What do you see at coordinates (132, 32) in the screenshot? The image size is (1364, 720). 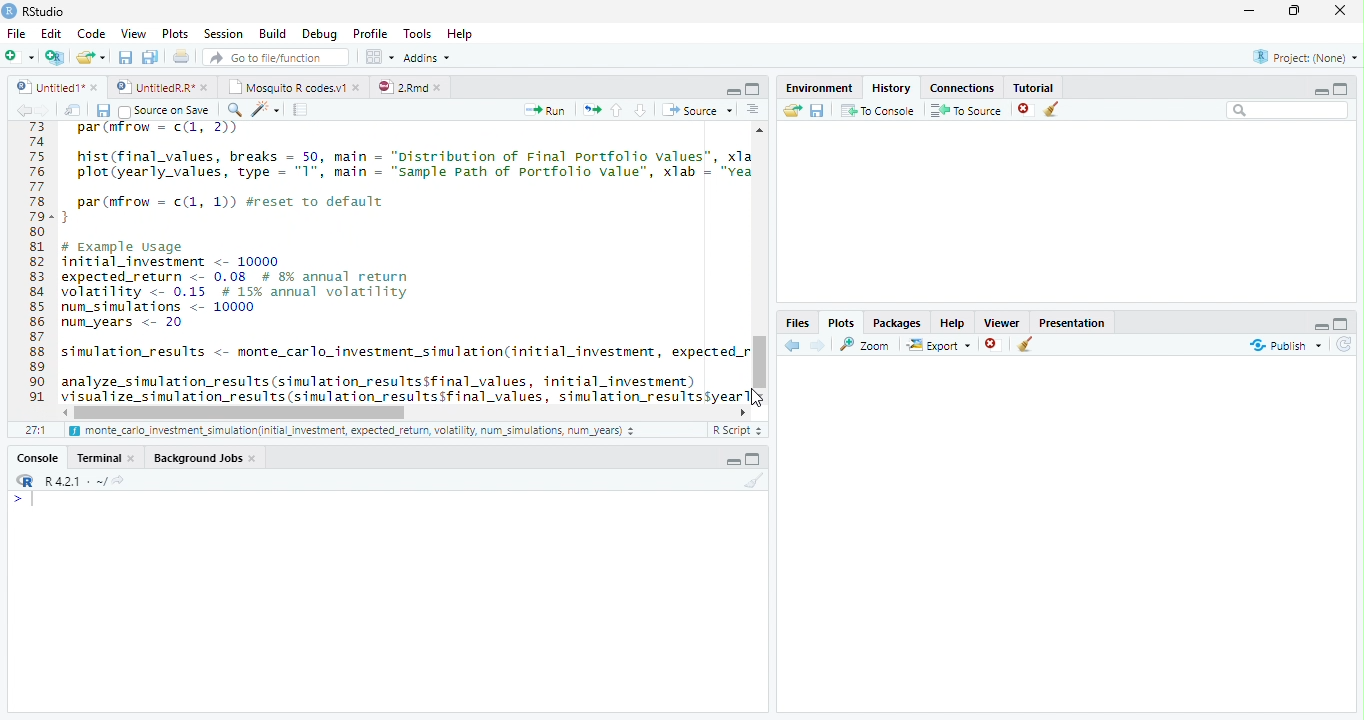 I see `View` at bounding box center [132, 32].